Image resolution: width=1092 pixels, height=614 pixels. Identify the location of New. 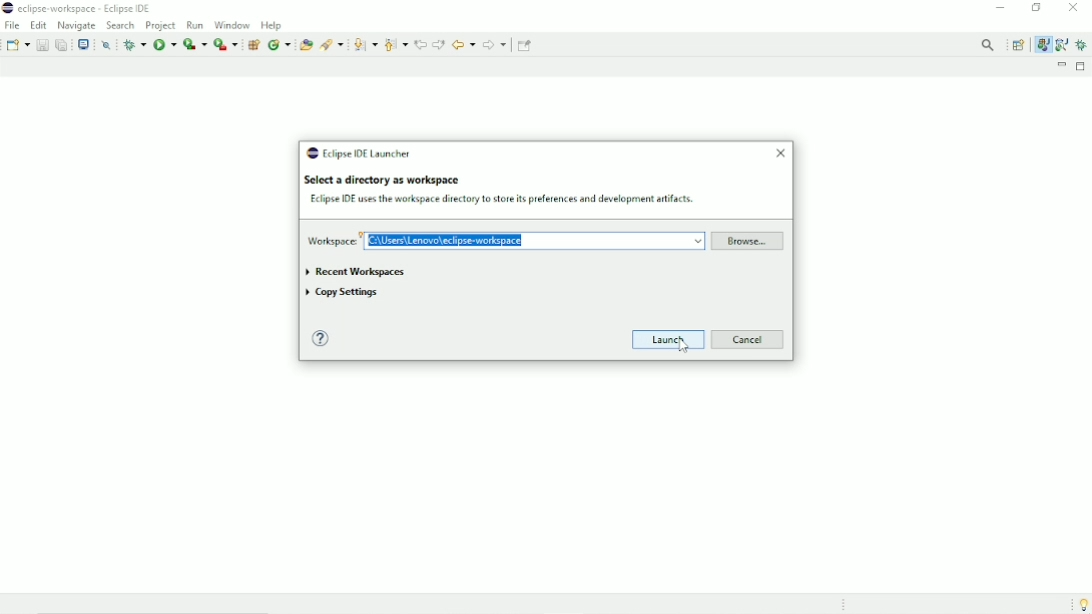
(17, 43).